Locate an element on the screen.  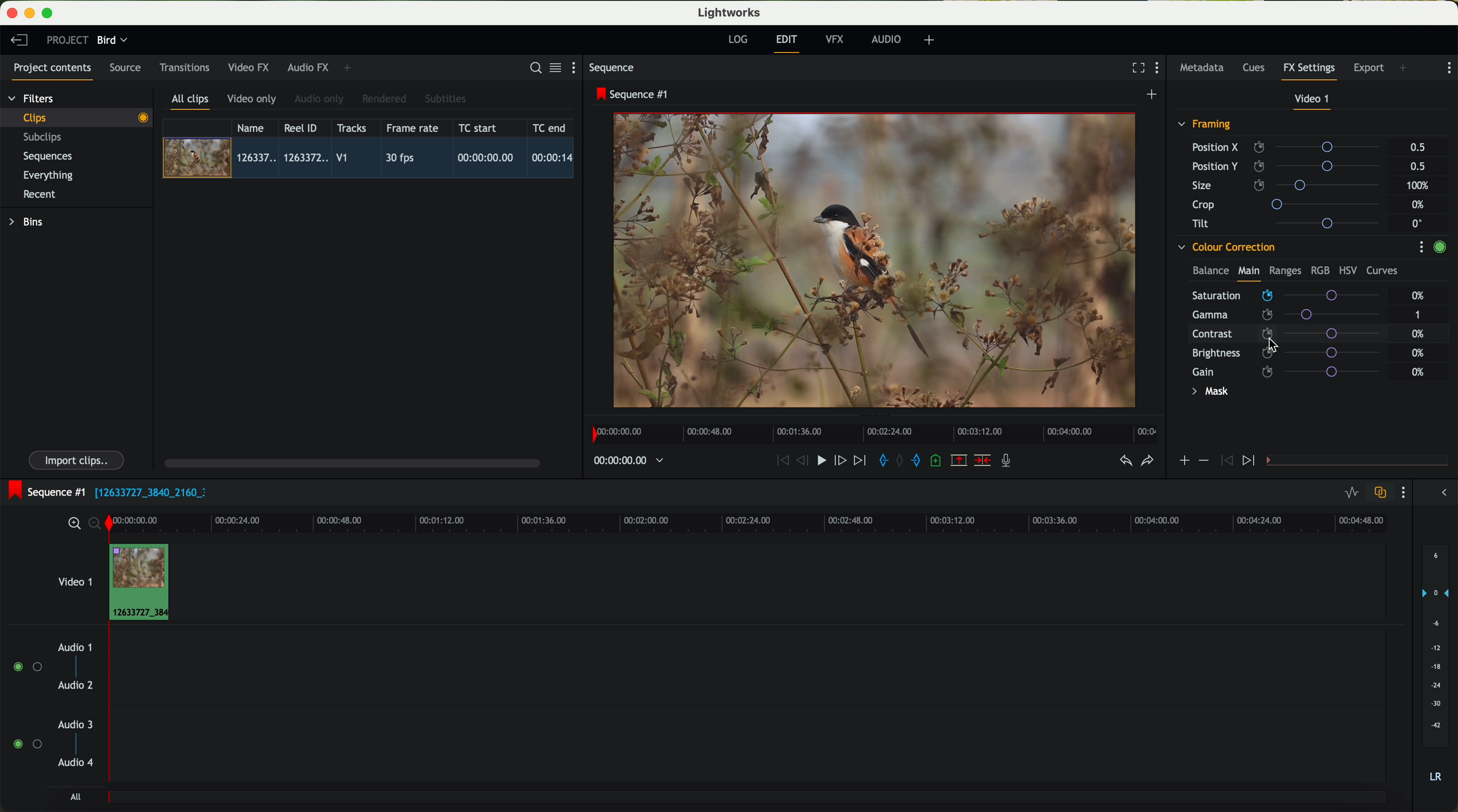
gamma is located at coordinates (1292, 314).